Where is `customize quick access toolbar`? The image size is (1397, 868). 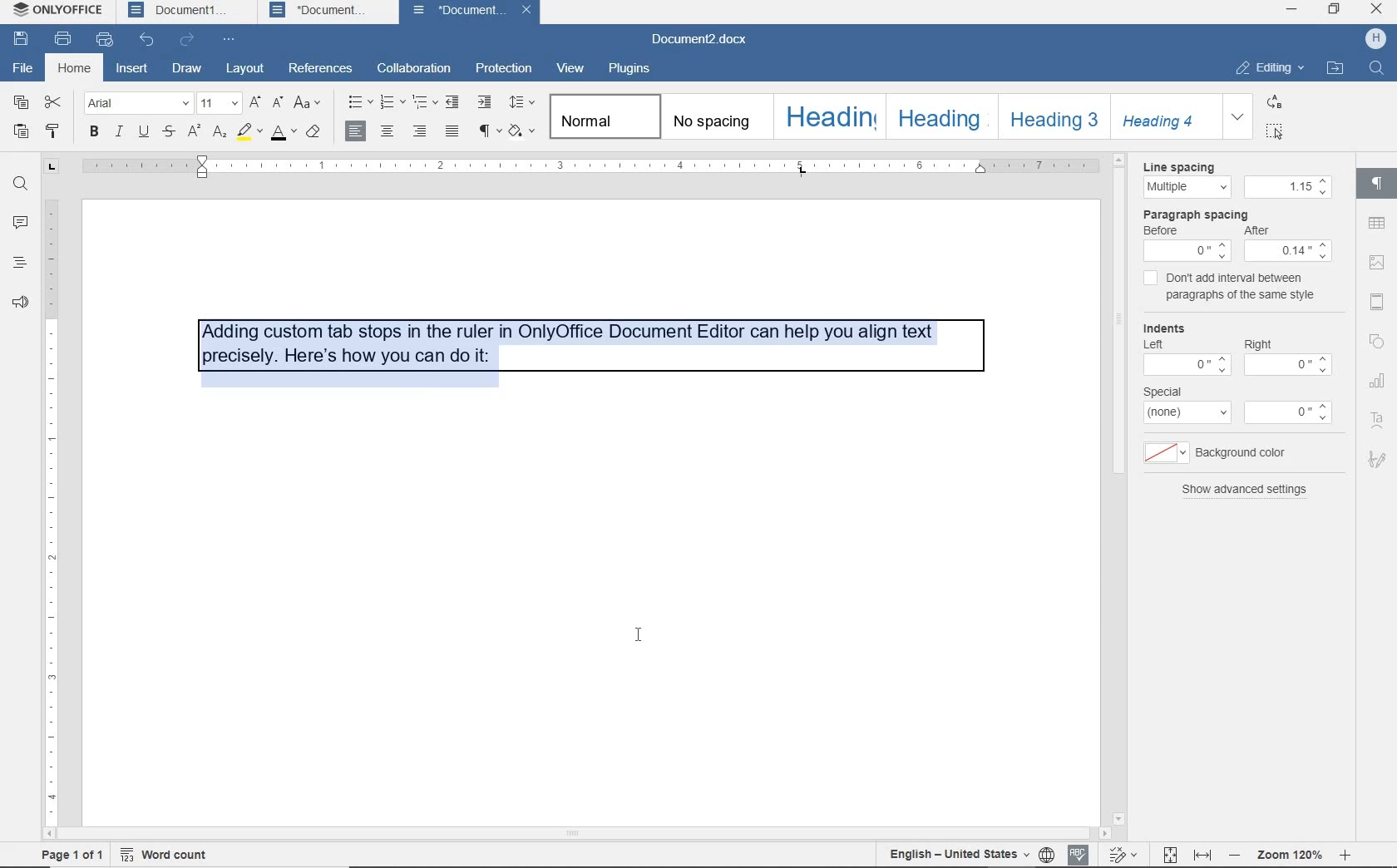 customize quick access toolbar is located at coordinates (232, 41).